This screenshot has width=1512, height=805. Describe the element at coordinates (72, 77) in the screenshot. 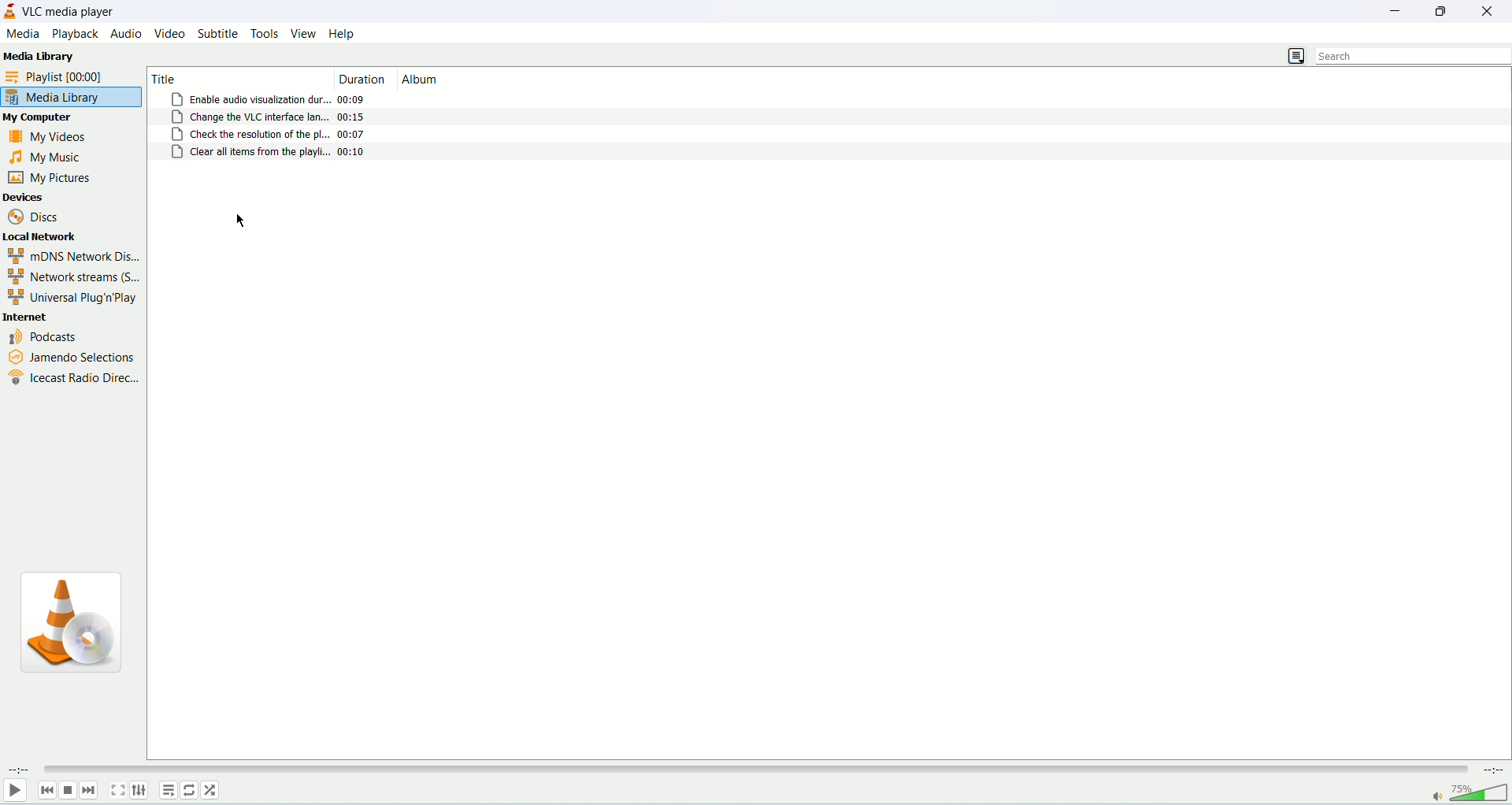

I see `playlist` at that location.